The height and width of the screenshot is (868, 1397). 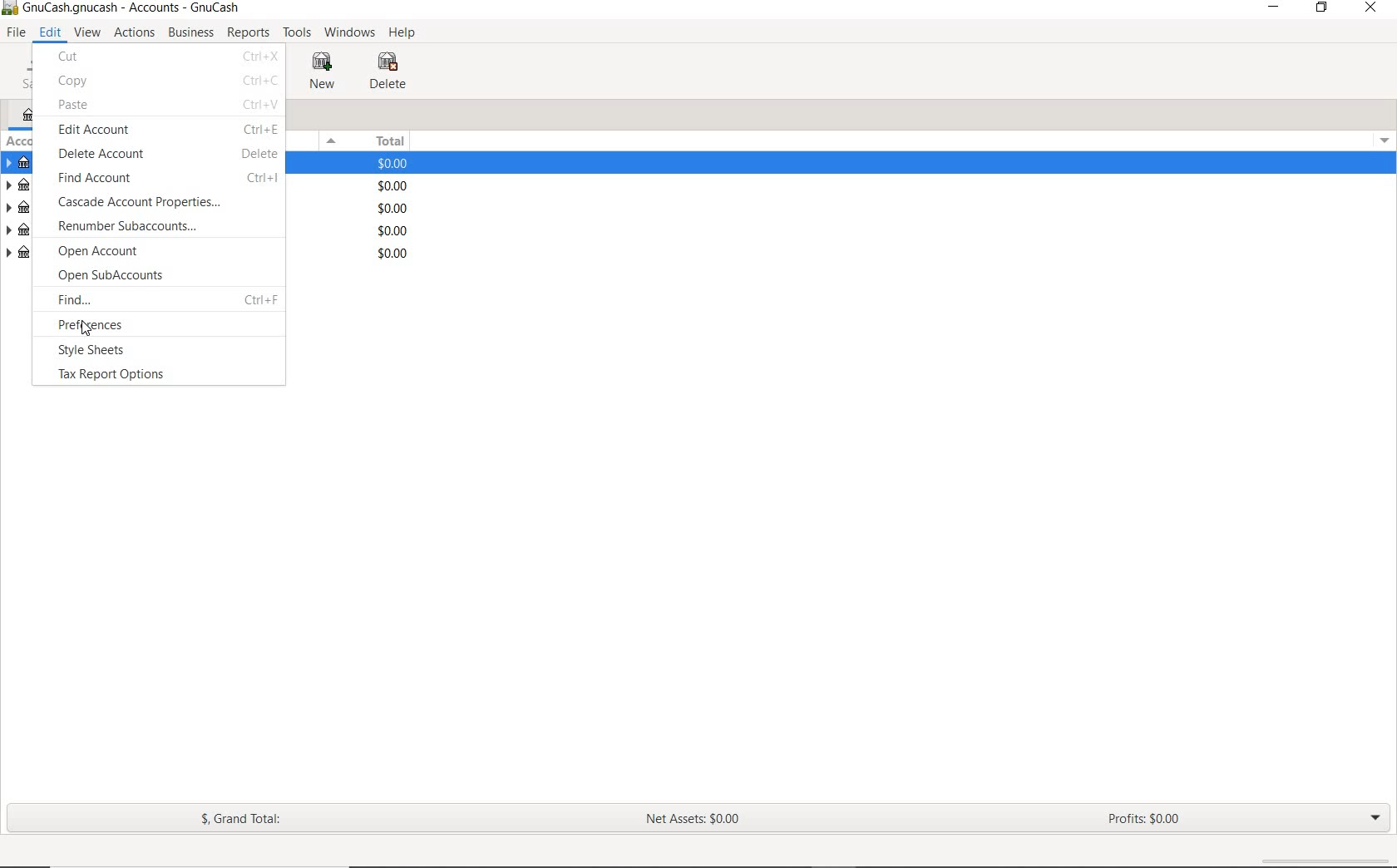 I want to click on ACTIONS, so click(x=136, y=33).